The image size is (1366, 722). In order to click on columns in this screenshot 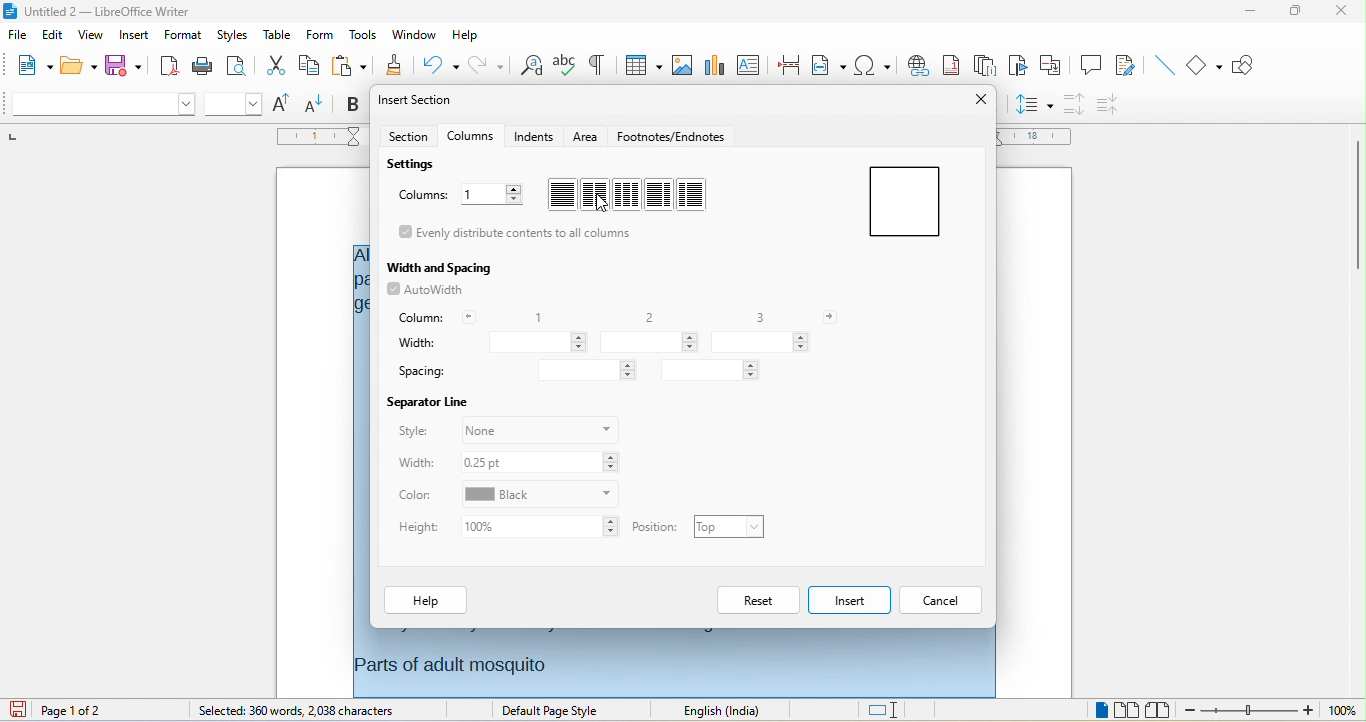, I will do `click(421, 195)`.